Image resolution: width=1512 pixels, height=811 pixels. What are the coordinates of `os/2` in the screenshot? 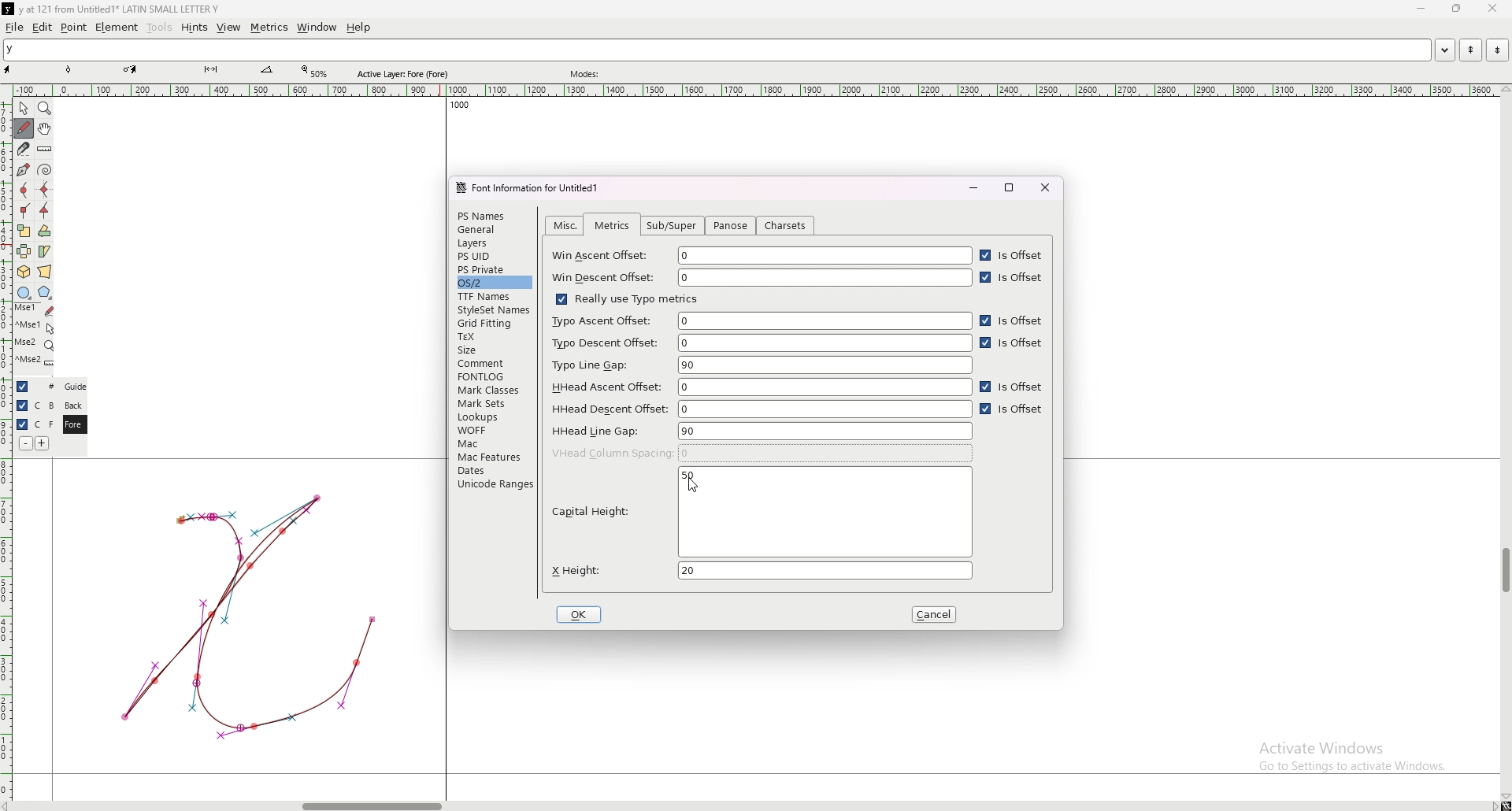 It's located at (493, 282).